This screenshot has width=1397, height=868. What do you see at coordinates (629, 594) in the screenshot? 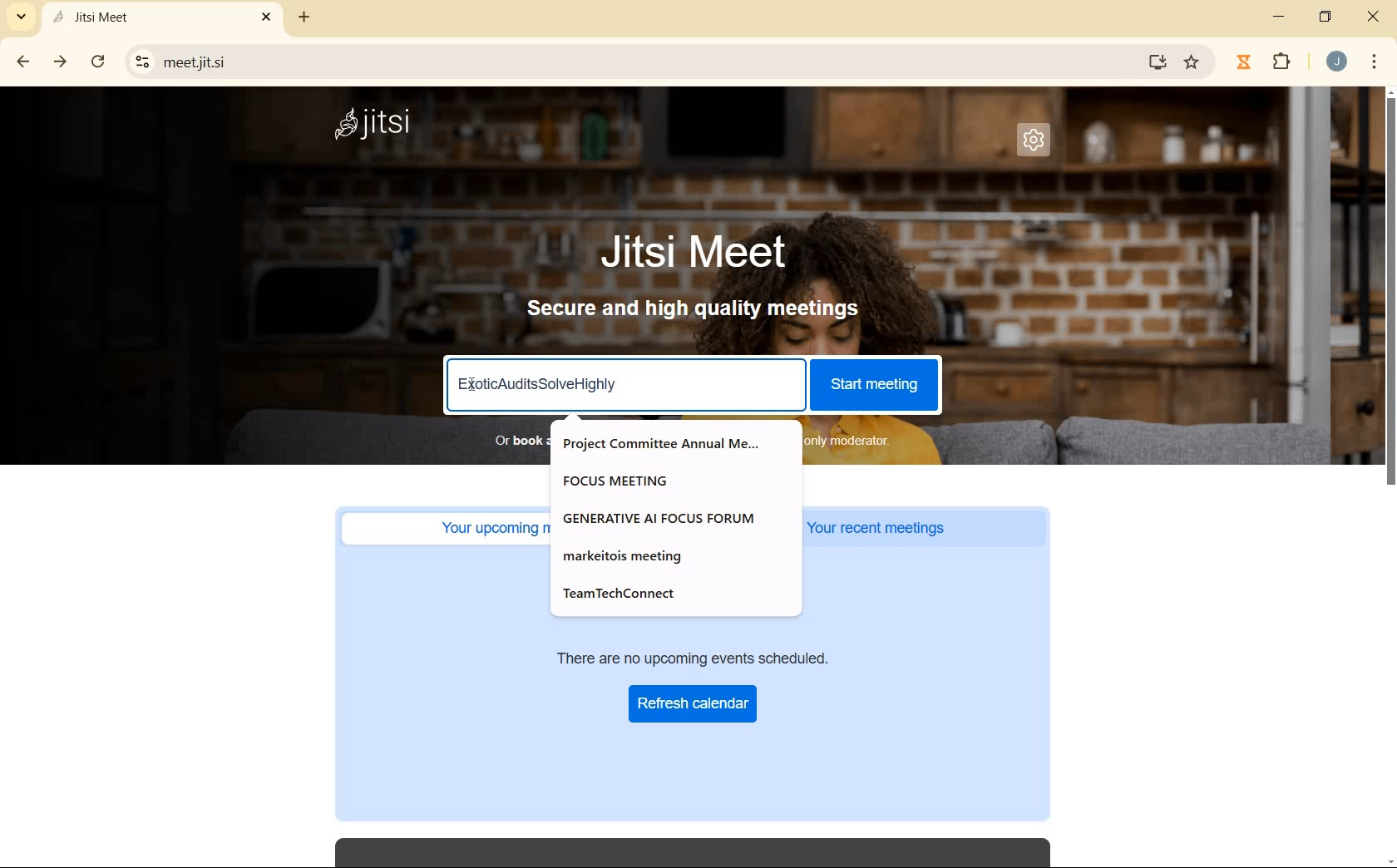
I see `TeamTechConnect` at bounding box center [629, 594].